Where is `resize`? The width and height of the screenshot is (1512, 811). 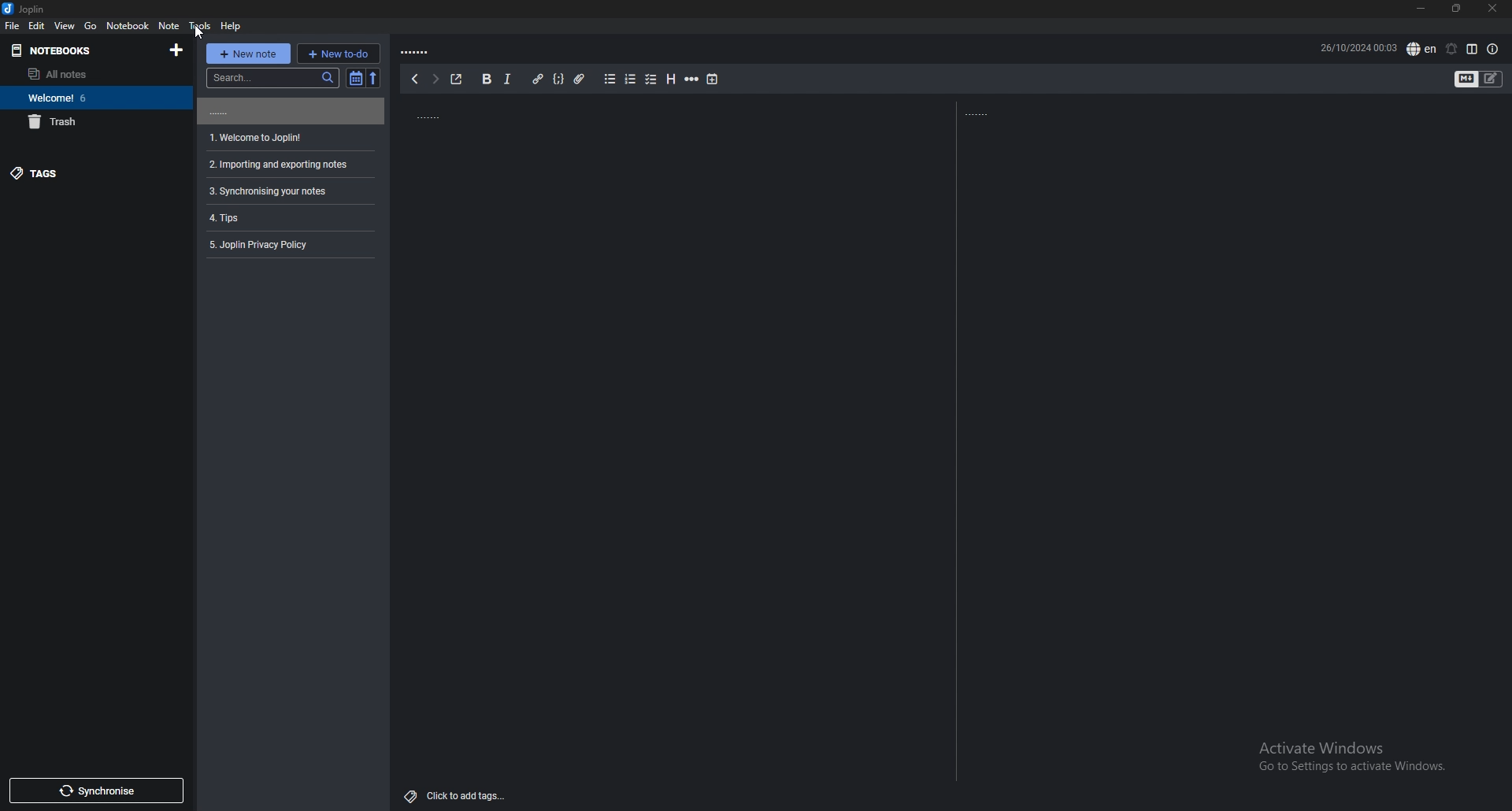 resize is located at coordinates (1455, 9).